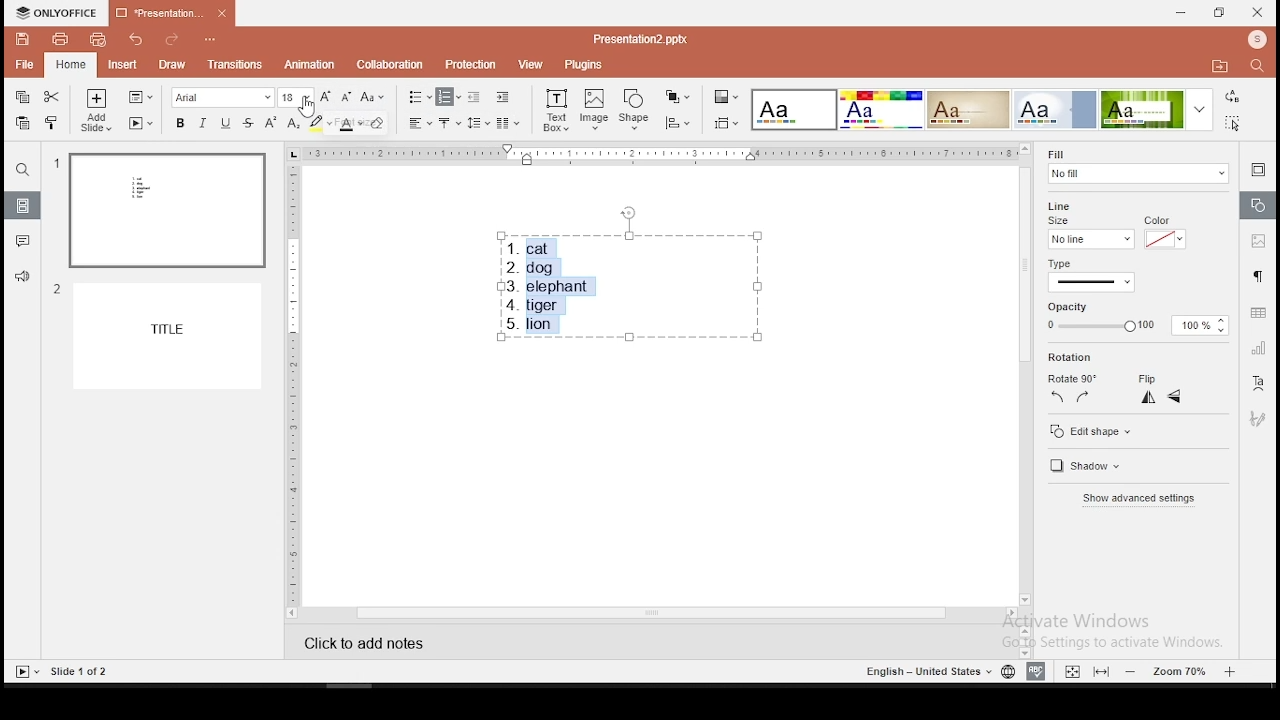  What do you see at coordinates (1259, 384) in the screenshot?
I see `text art tool` at bounding box center [1259, 384].